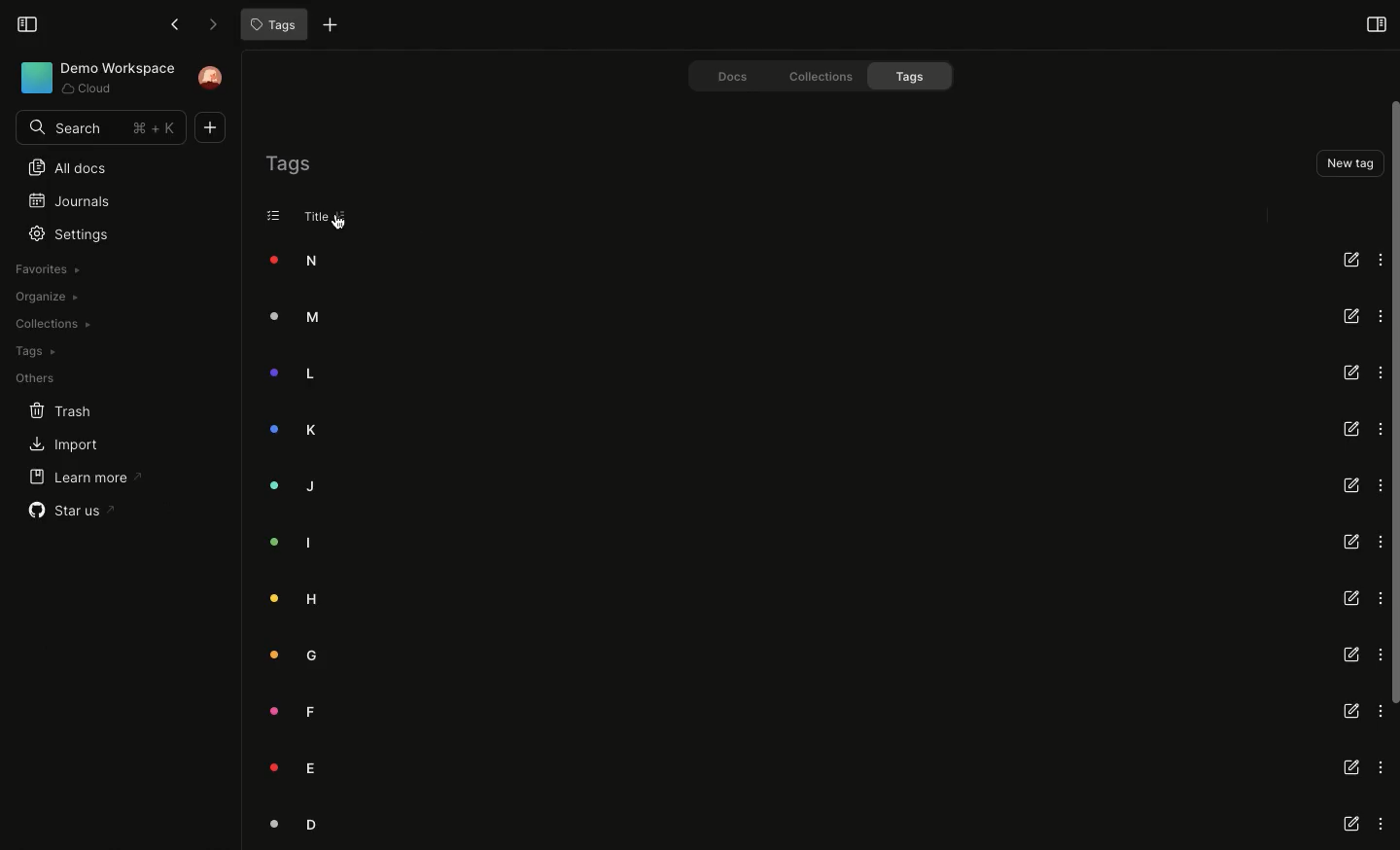 The width and height of the screenshot is (1400, 850). Describe the element at coordinates (1379, 485) in the screenshot. I see `Options` at that location.